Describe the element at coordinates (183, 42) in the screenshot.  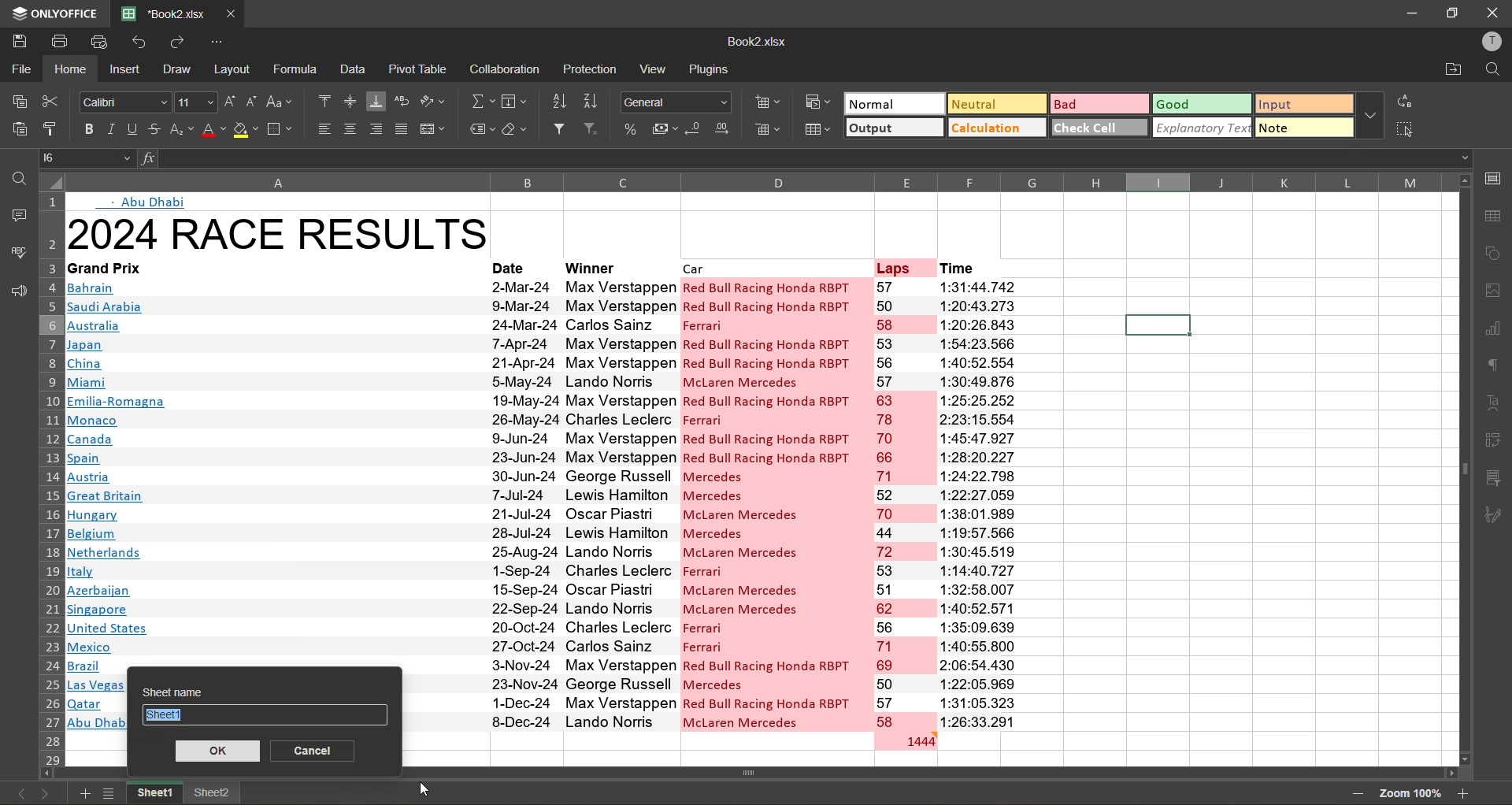
I see `redo` at that location.